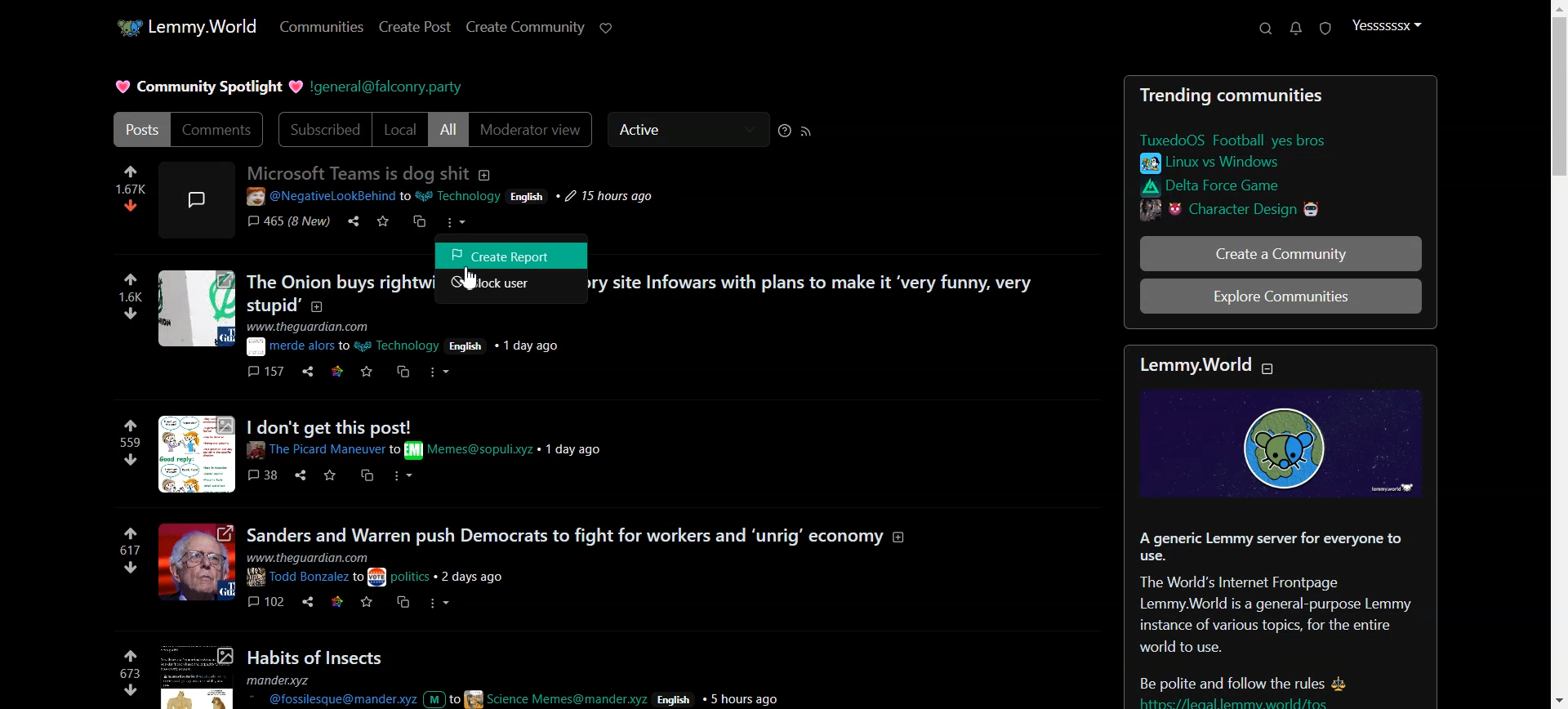  What do you see at coordinates (299, 475) in the screenshot?
I see `share` at bounding box center [299, 475].